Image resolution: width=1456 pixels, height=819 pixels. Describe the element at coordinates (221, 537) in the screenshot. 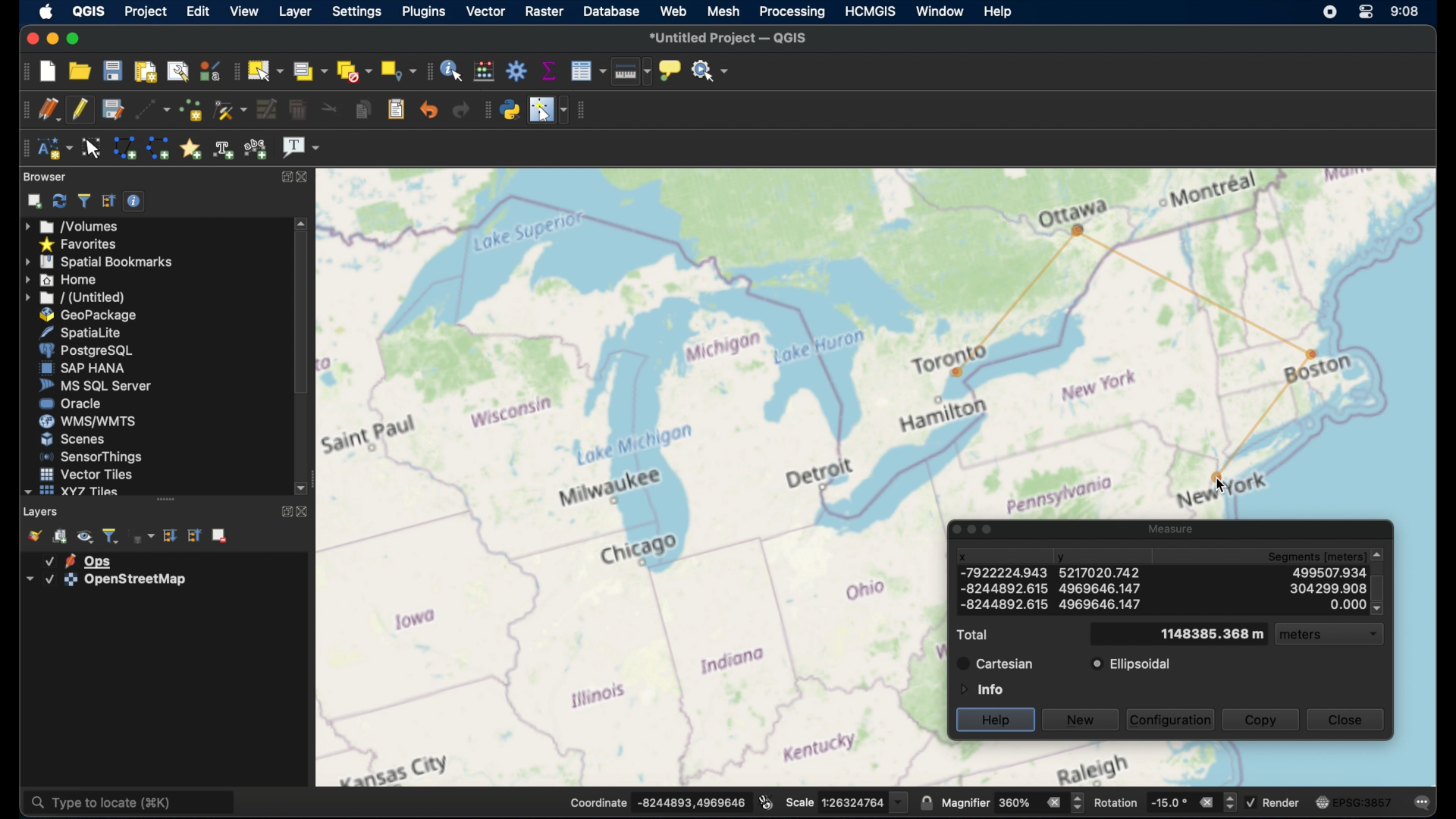

I see `remove. layer group` at that location.